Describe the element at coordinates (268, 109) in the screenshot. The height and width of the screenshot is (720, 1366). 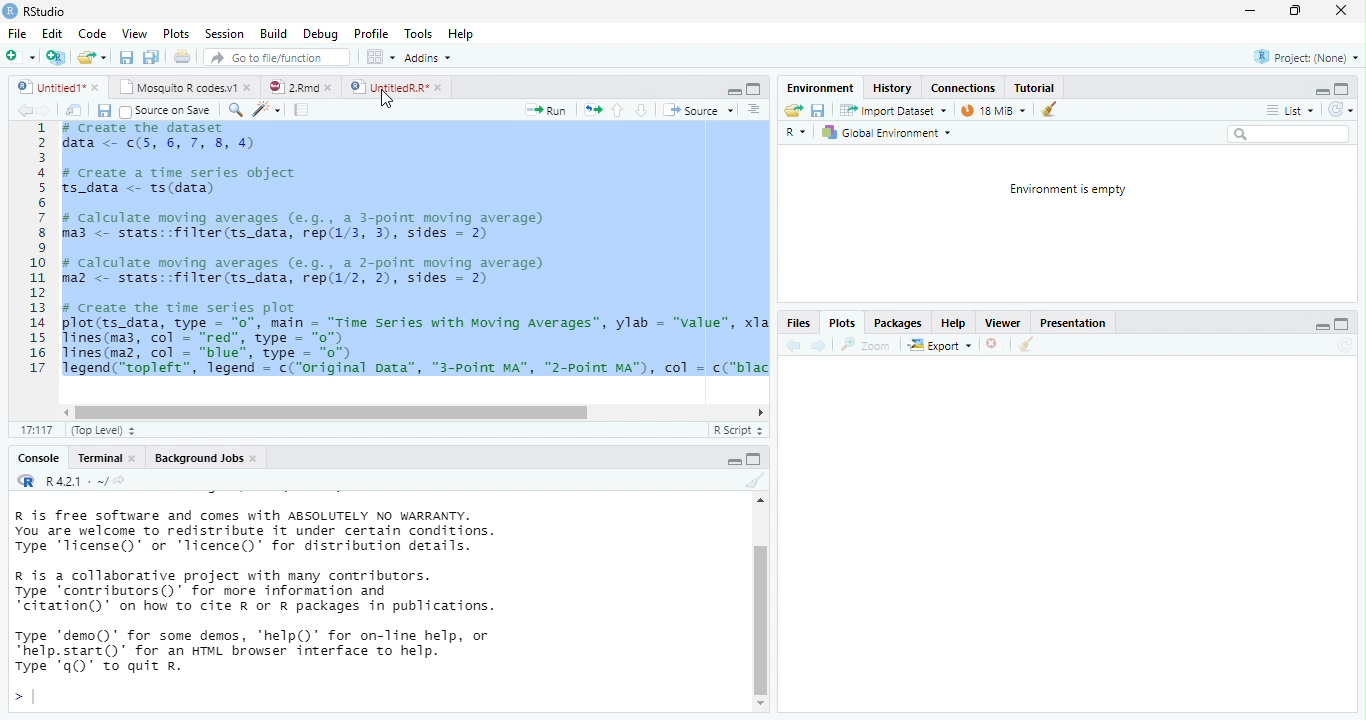
I see `code tool` at that location.